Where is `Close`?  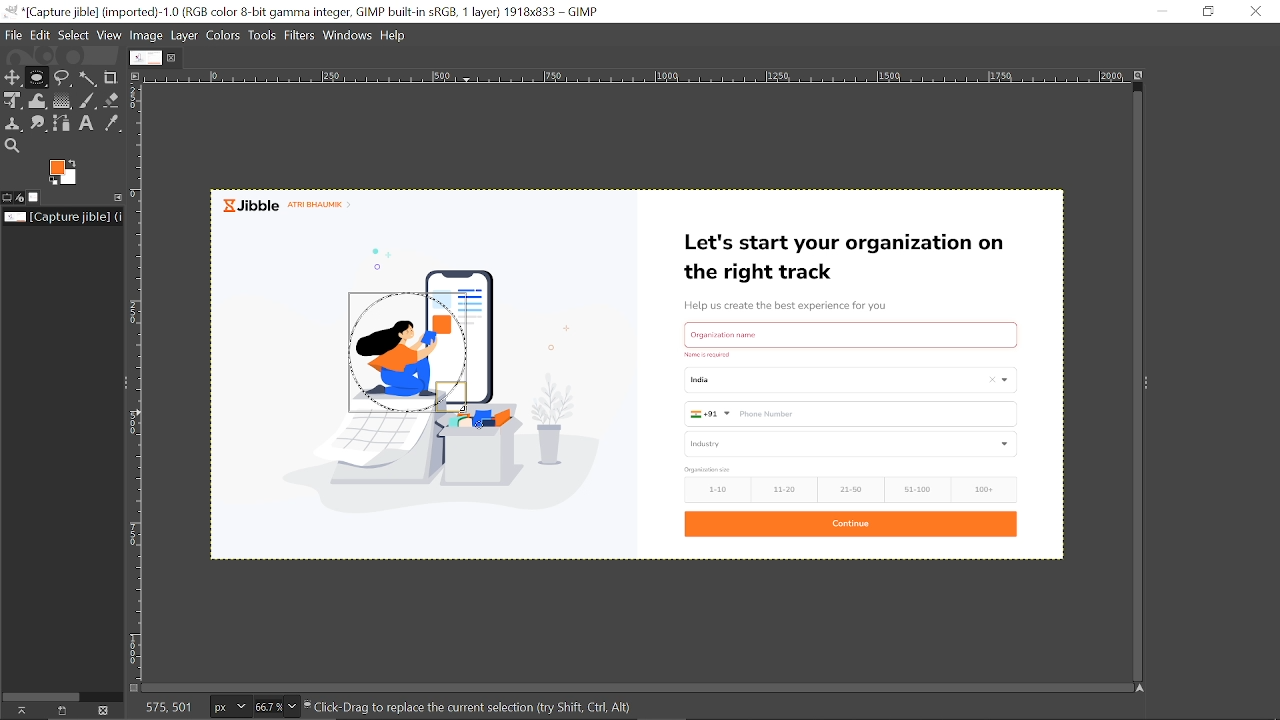
Close is located at coordinates (1255, 11).